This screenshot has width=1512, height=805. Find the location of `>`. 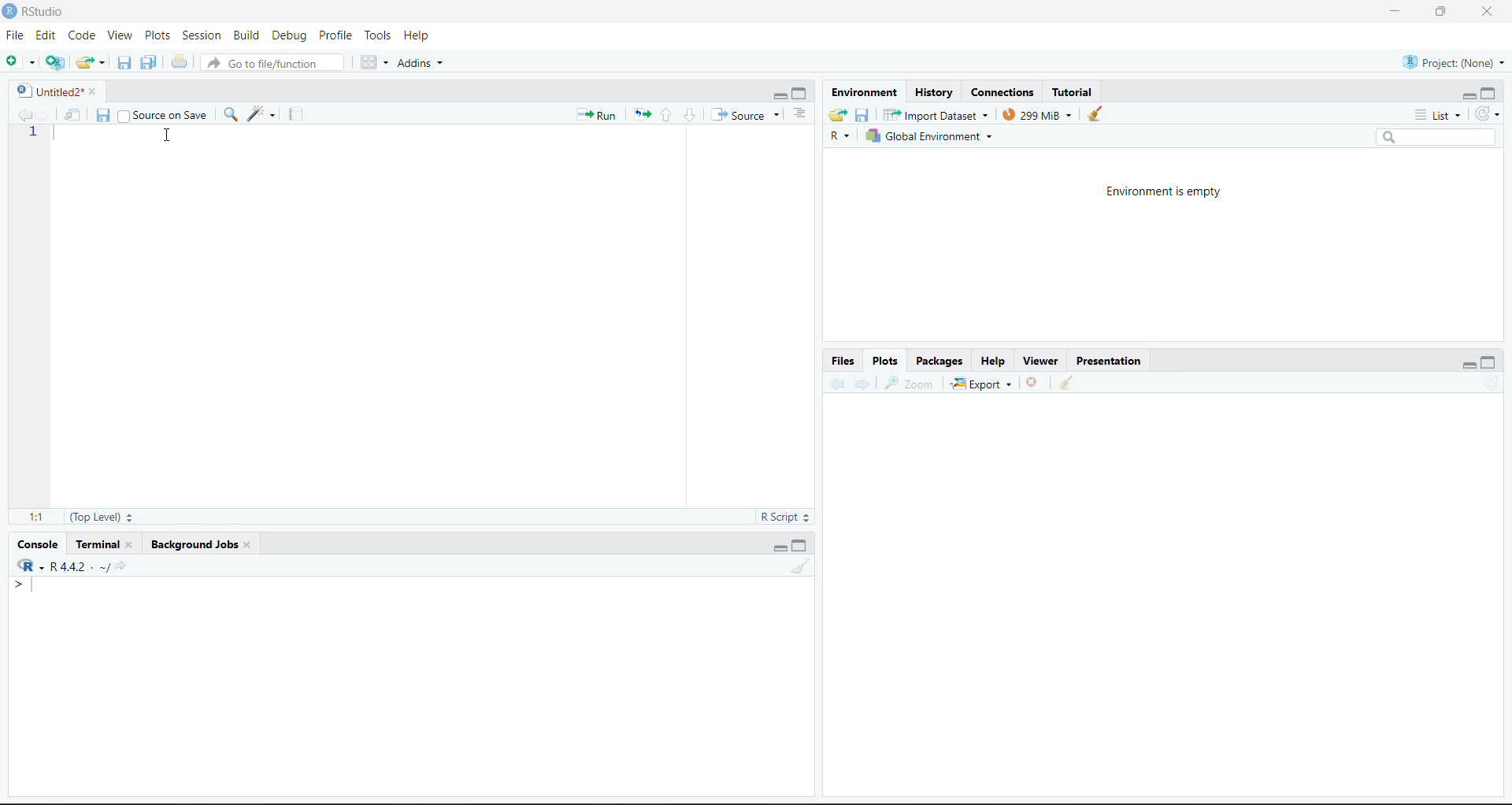

> is located at coordinates (20, 583).